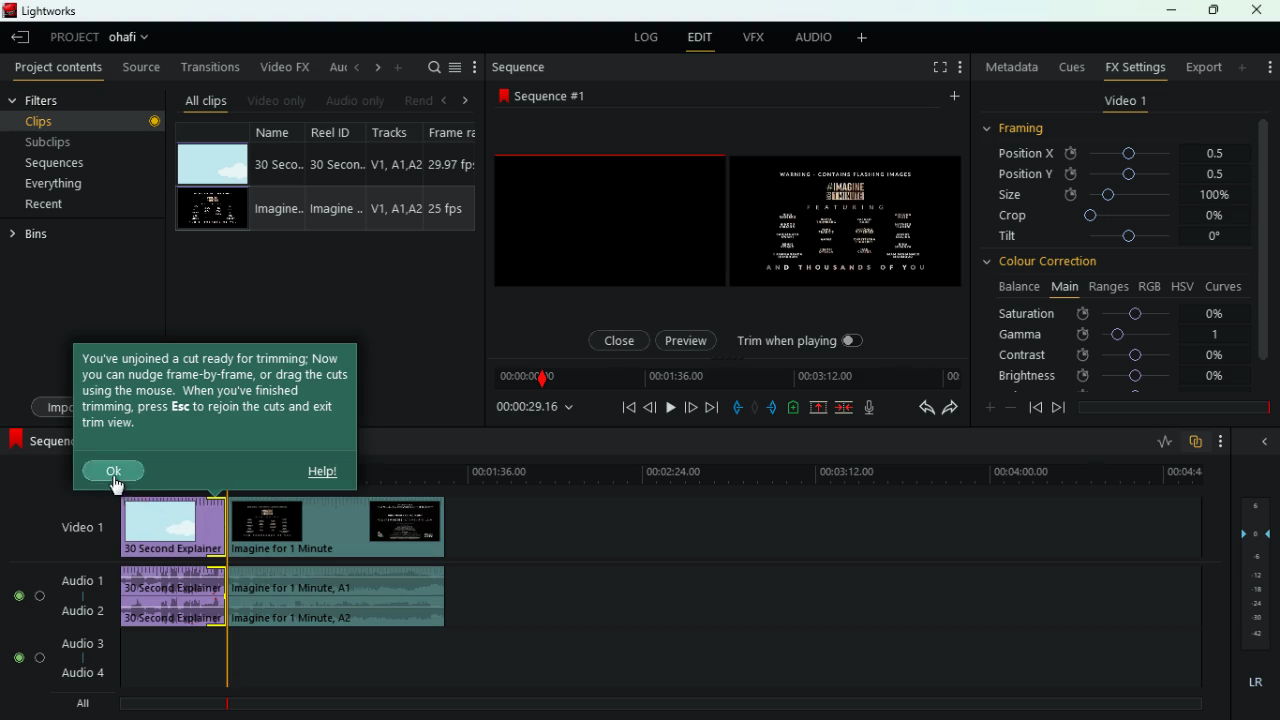 The height and width of the screenshot is (720, 1280). I want to click on rend, so click(418, 99).